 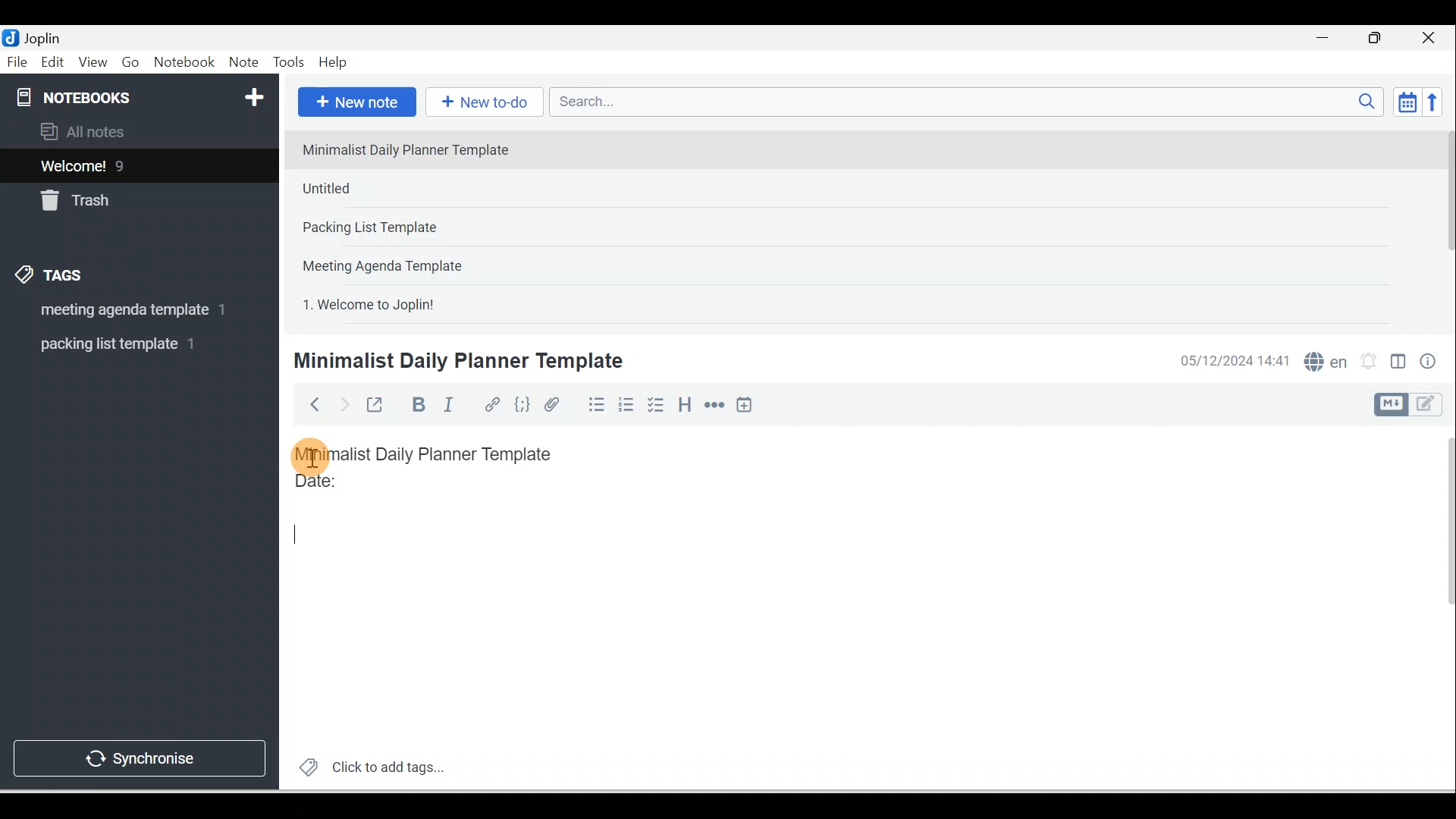 What do you see at coordinates (456, 361) in the screenshot?
I see `Minimalist Daily Planner Template` at bounding box center [456, 361].